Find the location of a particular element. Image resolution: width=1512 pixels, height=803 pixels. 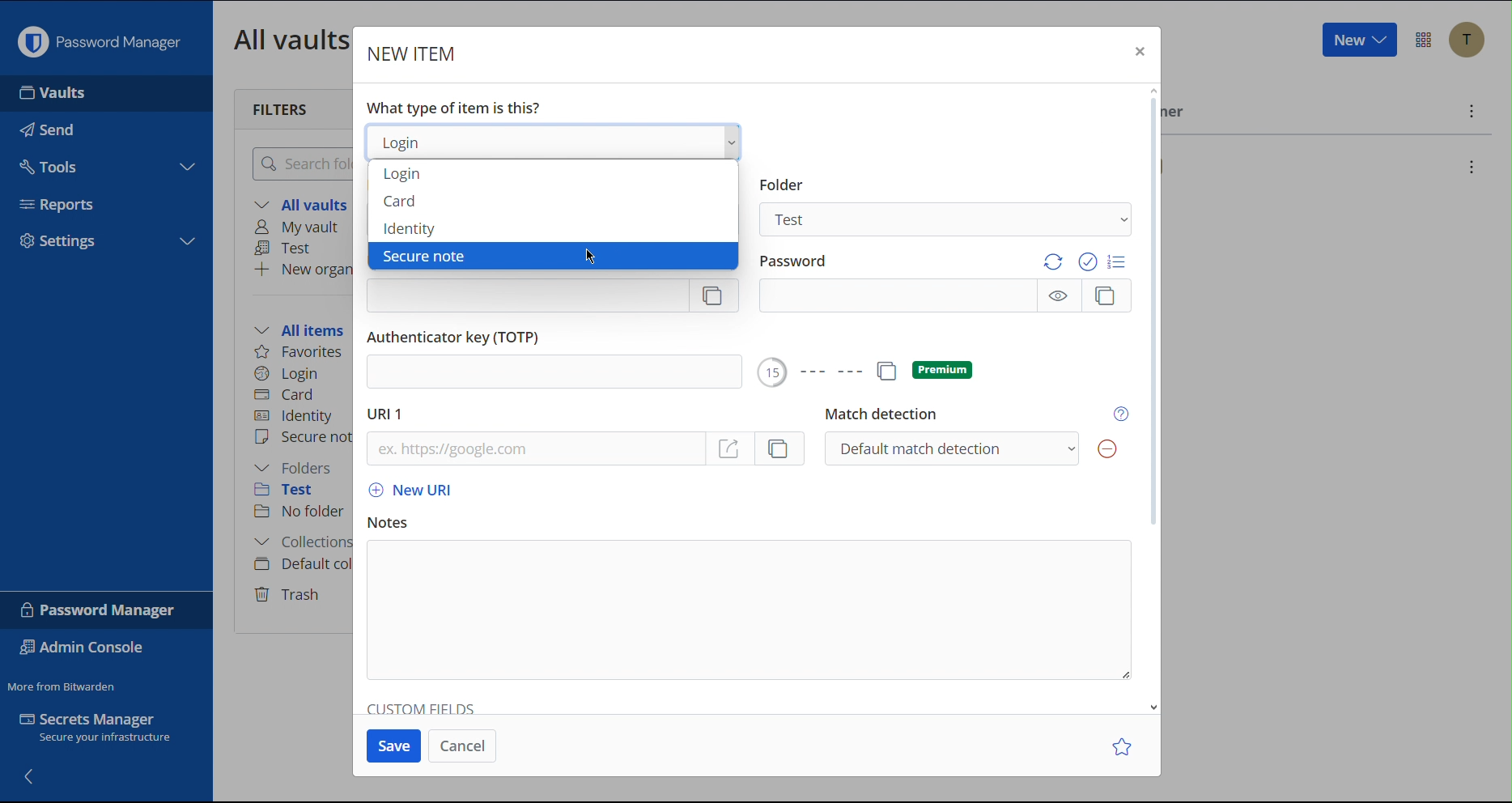

Secrets Manager is located at coordinates (105, 731).